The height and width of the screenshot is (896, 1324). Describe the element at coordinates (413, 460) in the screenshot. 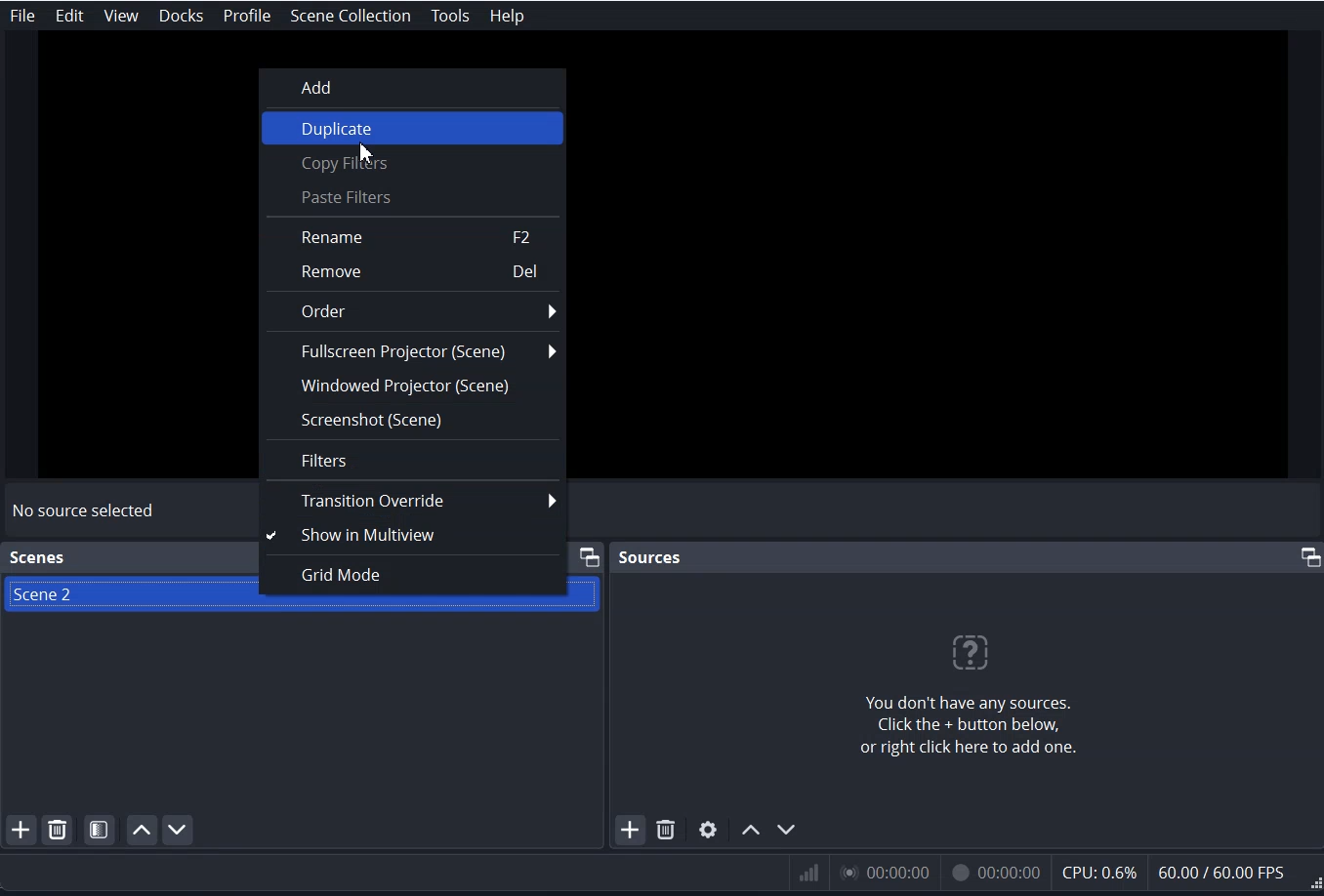

I see `Filters` at that location.